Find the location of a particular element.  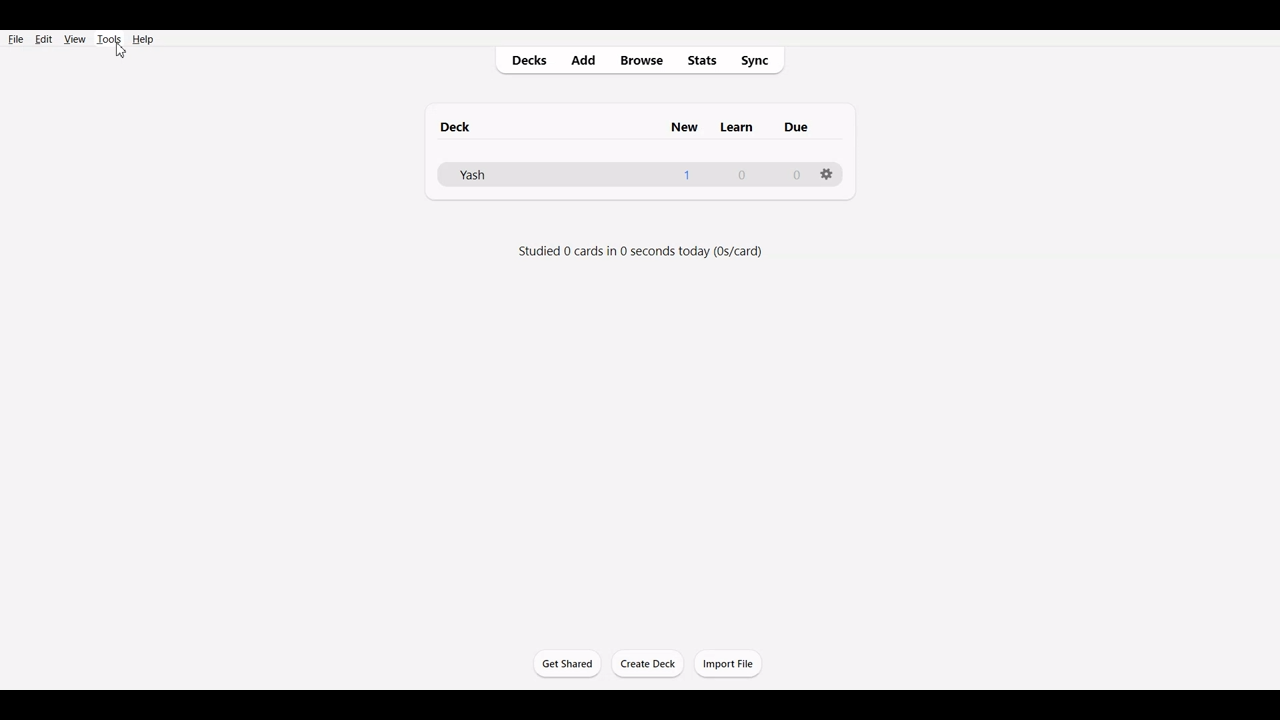

 is located at coordinates (804, 121).